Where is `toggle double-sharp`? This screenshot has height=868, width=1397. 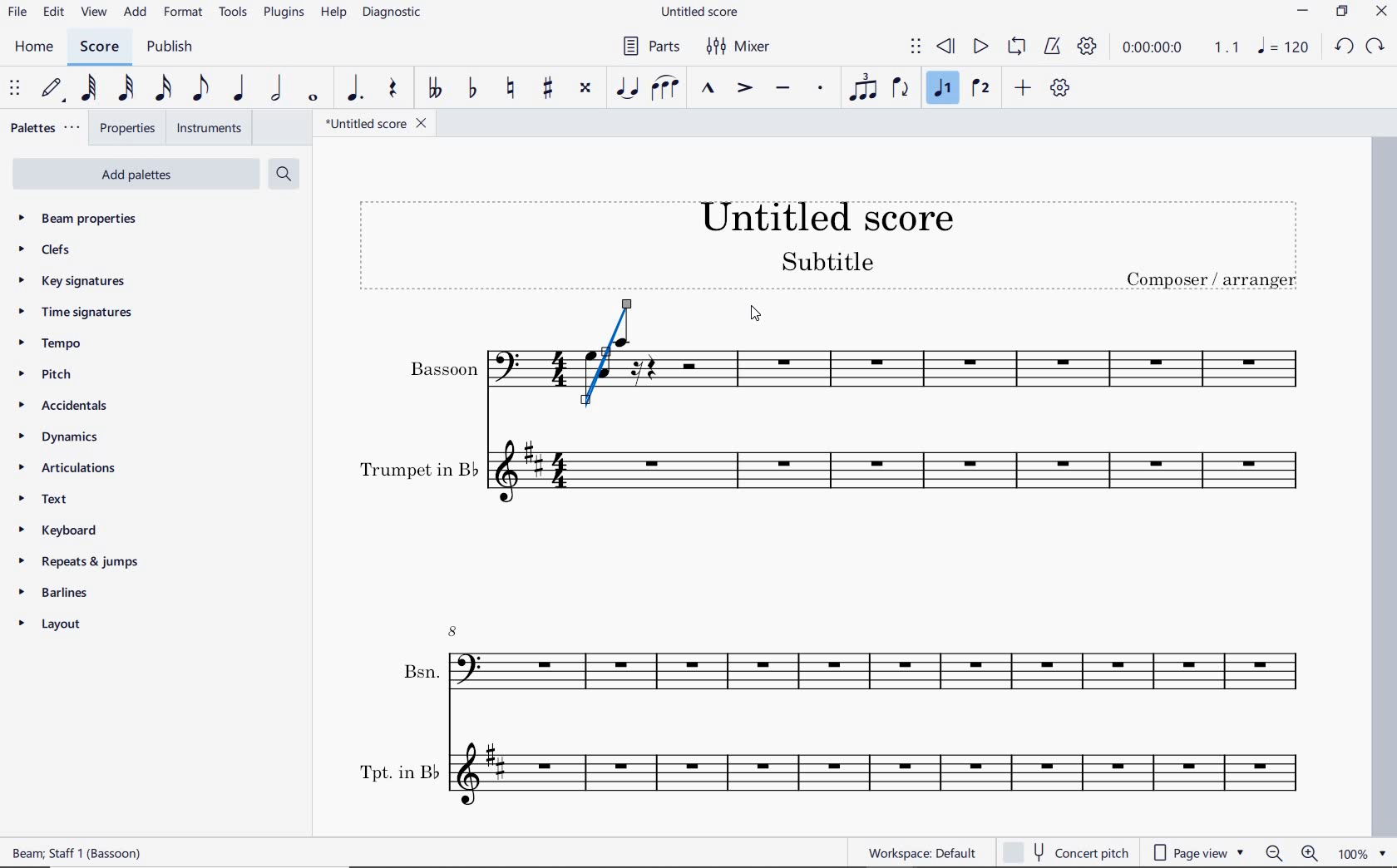
toggle double-sharp is located at coordinates (586, 88).